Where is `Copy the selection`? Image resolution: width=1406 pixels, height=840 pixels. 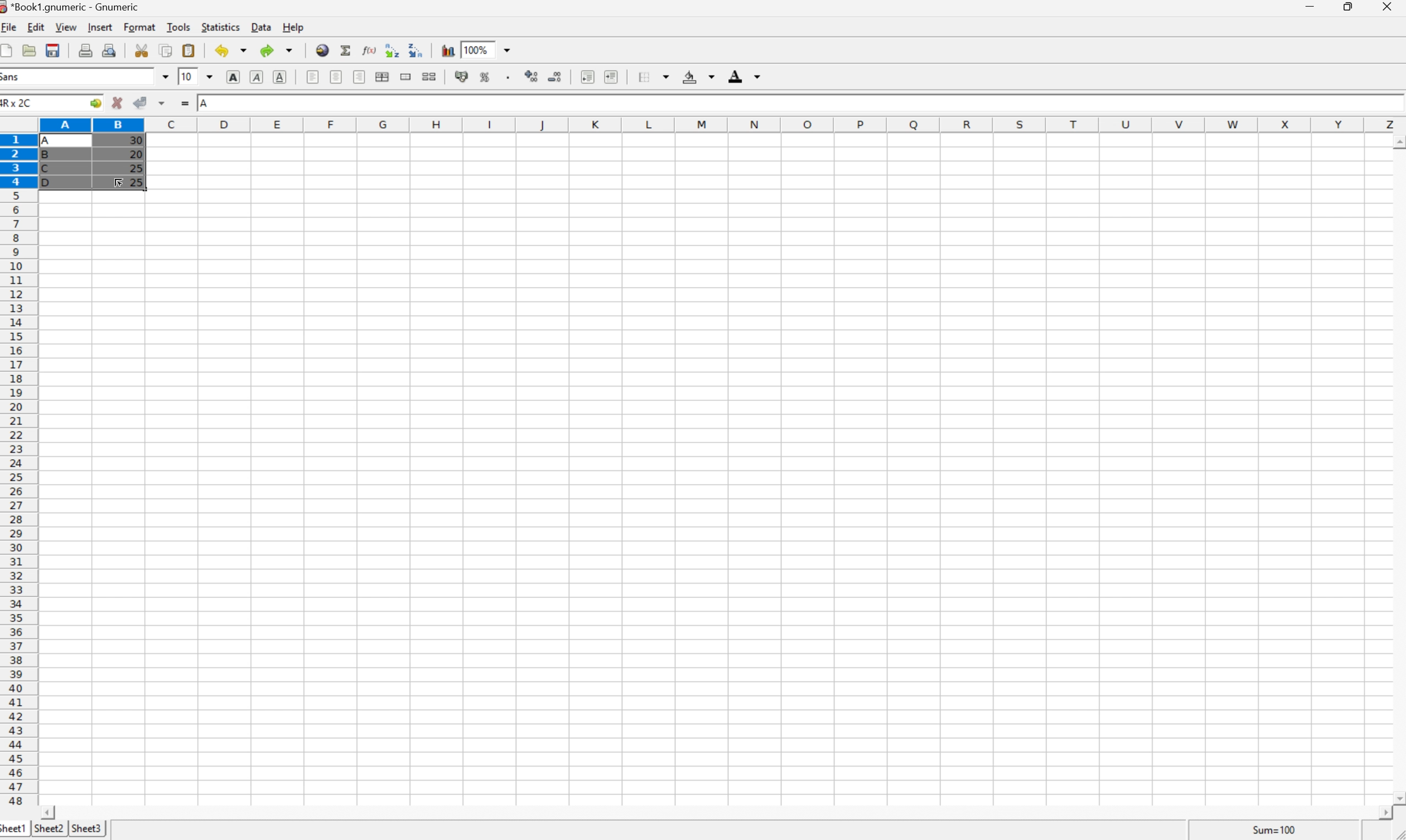 Copy the selection is located at coordinates (166, 52).